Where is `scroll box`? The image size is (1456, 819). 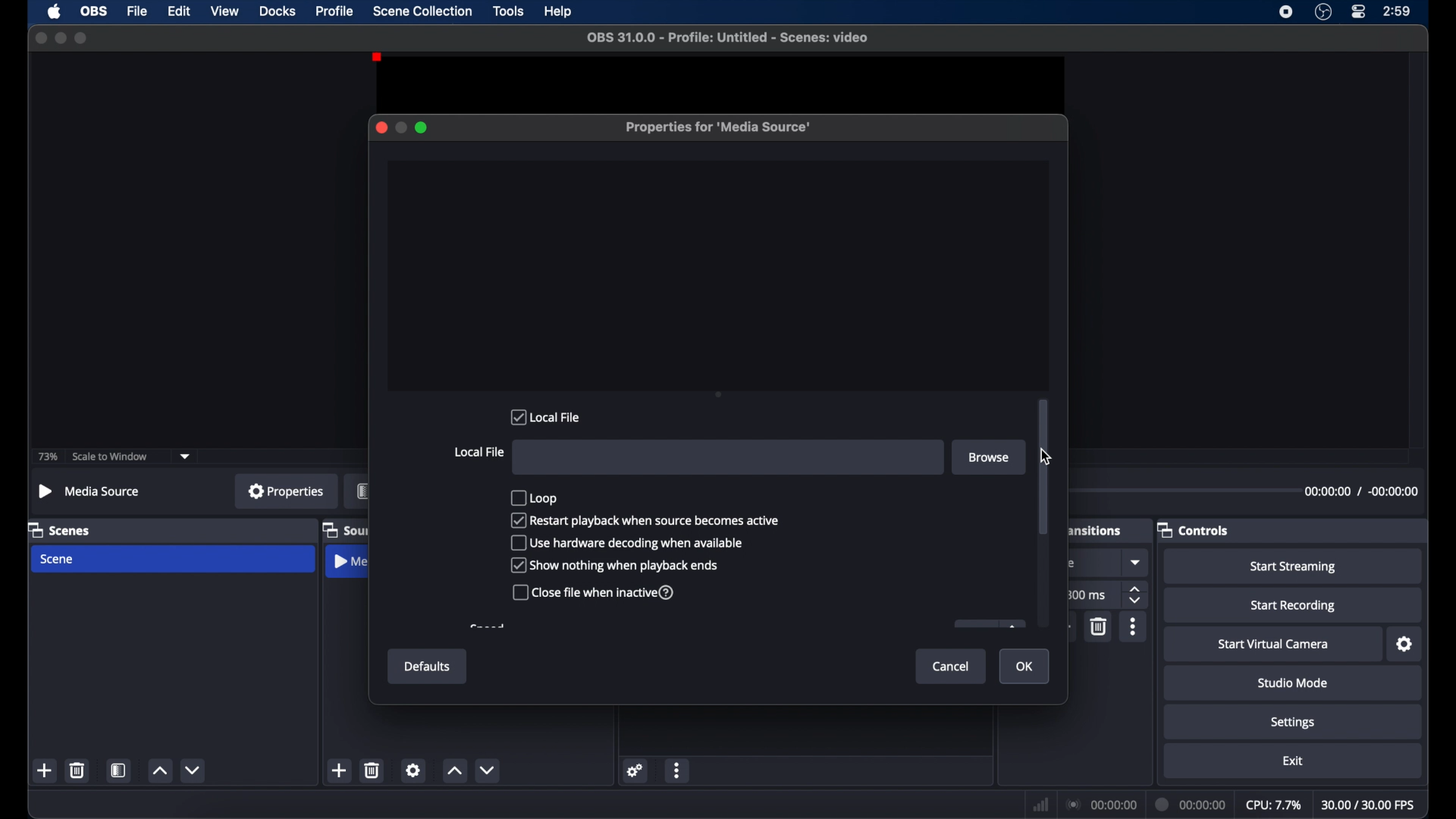 scroll box is located at coordinates (1043, 467).